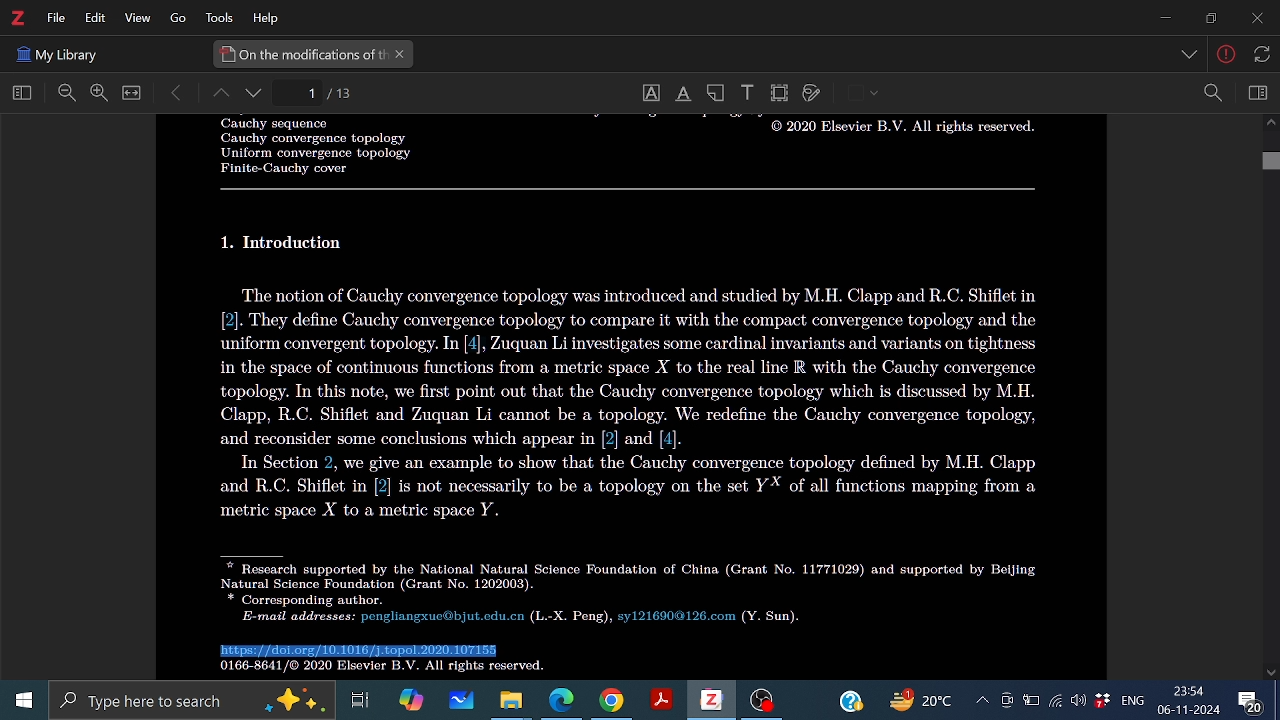 The height and width of the screenshot is (720, 1280). What do you see at coordinates (610, 701) in the screenshot?
I see `Google chorme` at bounding box center [610, 701].